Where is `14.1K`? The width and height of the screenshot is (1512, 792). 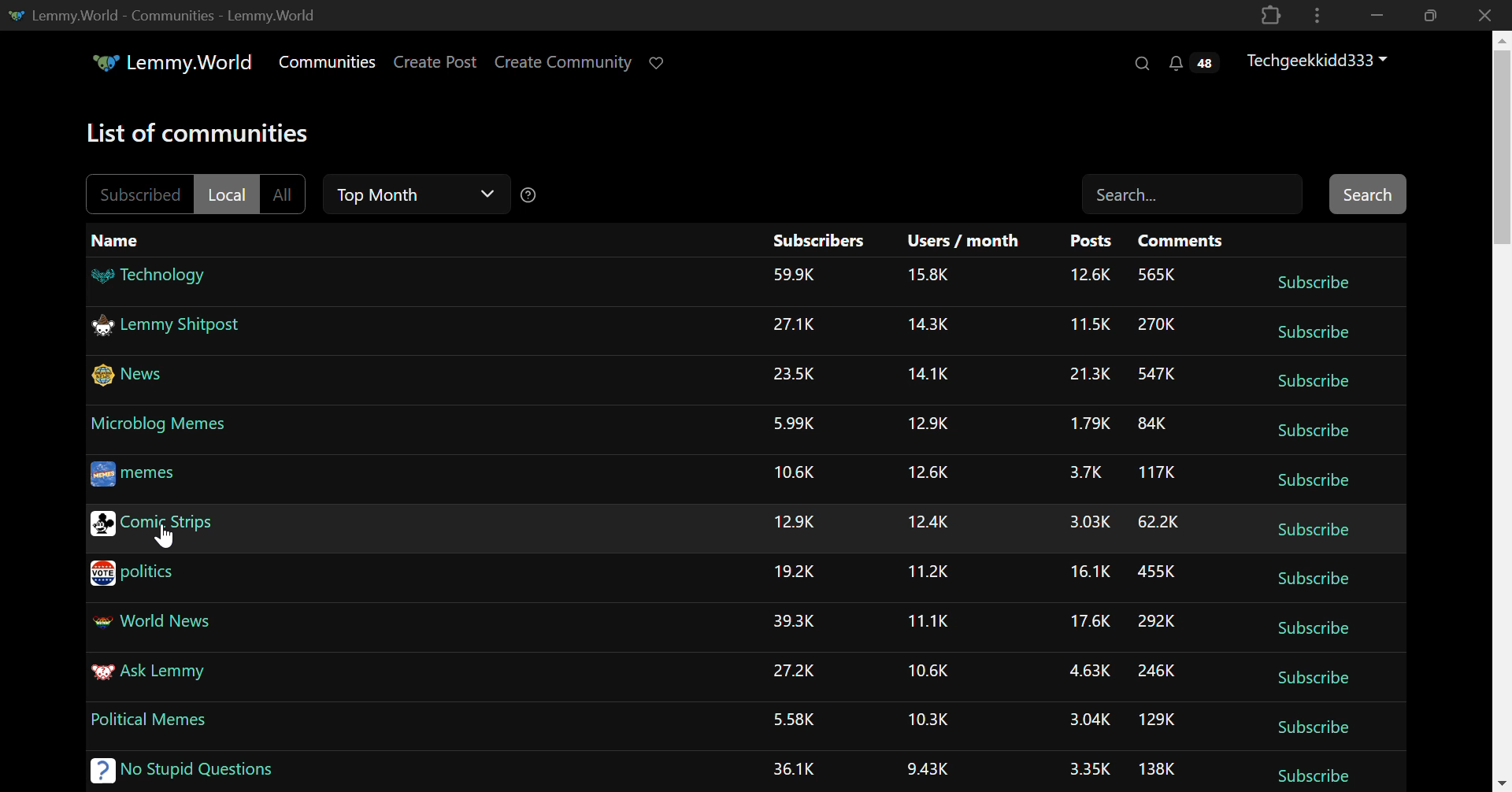
14.1K is located at coordinates (927, 374).